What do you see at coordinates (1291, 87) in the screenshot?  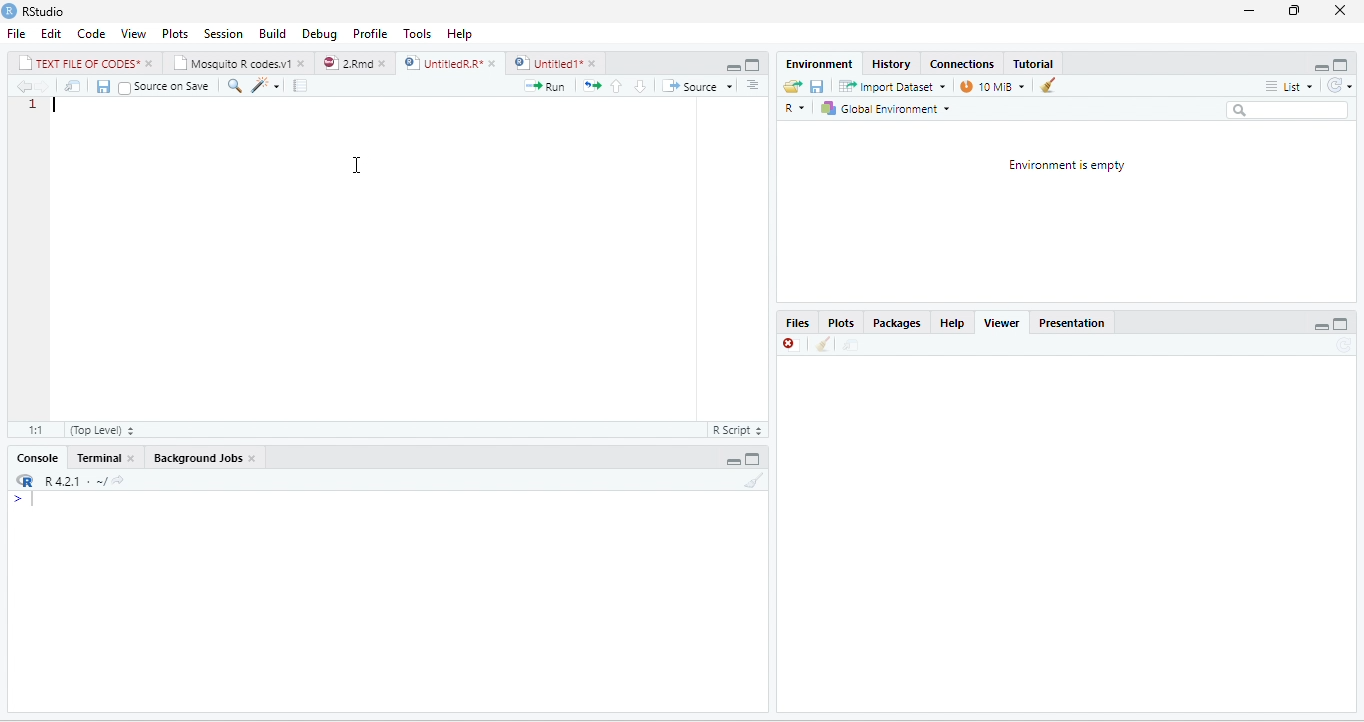 I see `list` at bounding box center [1291, 87].